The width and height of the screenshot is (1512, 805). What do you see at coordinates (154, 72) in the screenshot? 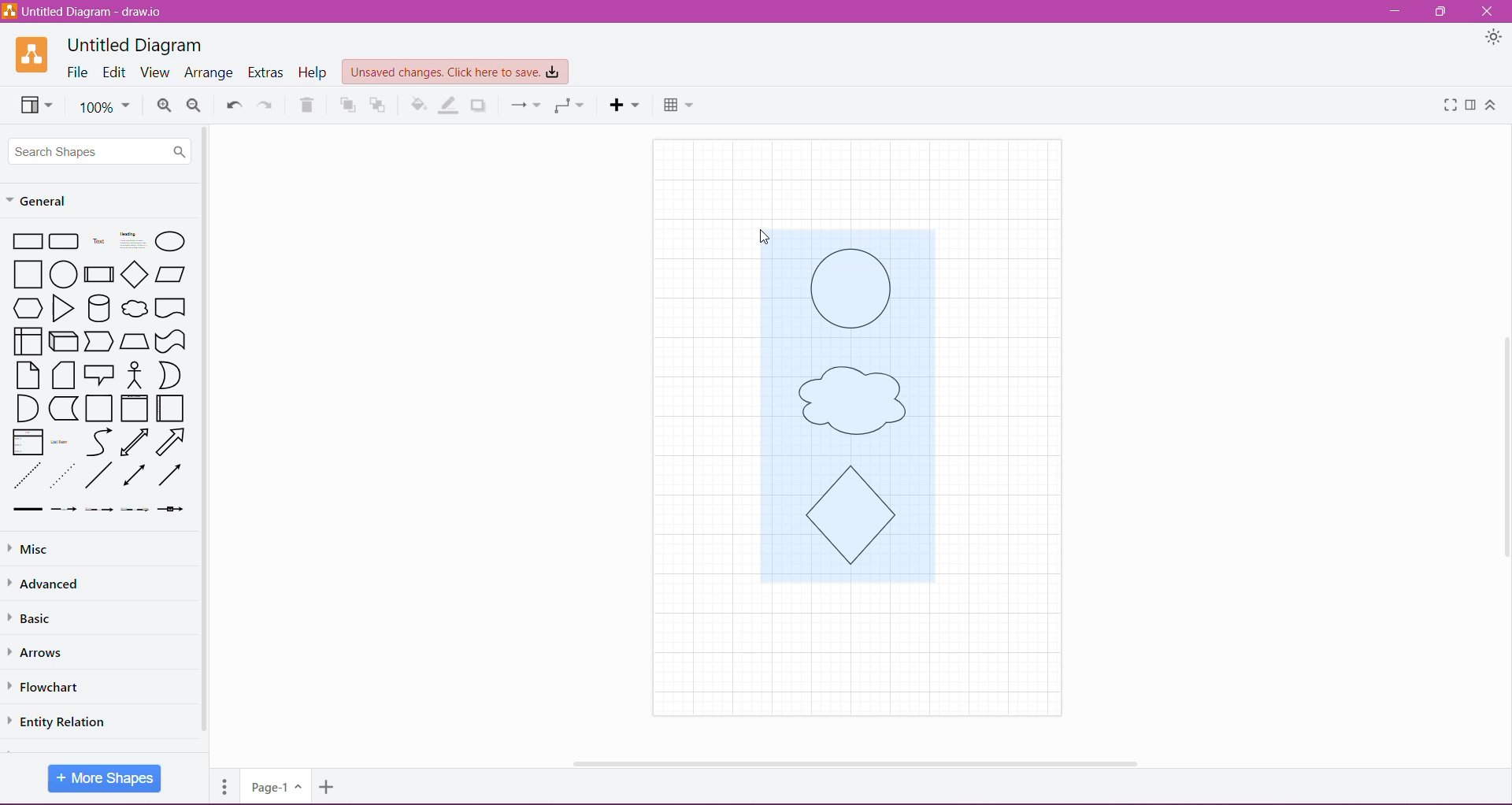
I see `View` at bounding box center [154, 72].